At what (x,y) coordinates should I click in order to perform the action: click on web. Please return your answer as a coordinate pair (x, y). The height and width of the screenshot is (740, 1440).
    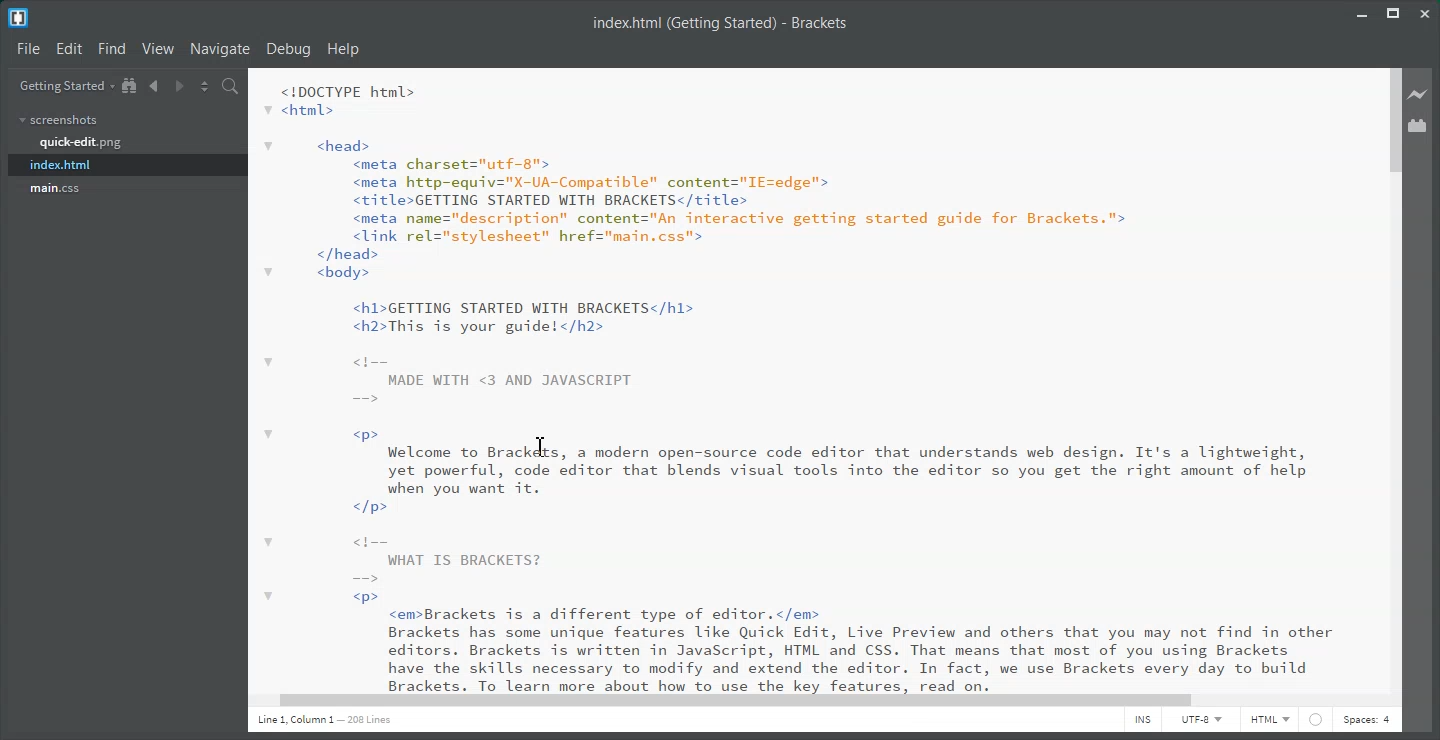
    Looking at the image, I should click on (1315, 723).